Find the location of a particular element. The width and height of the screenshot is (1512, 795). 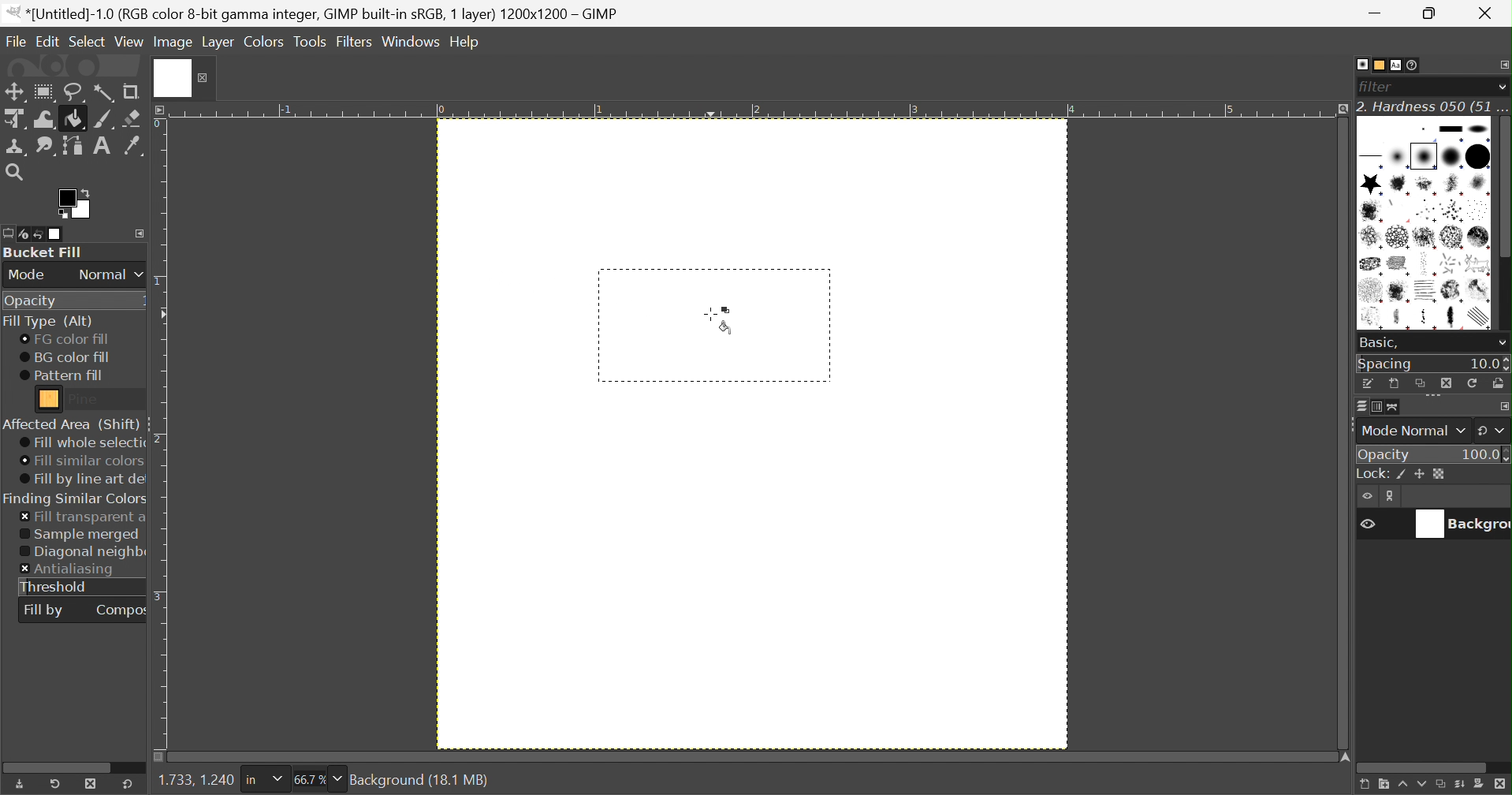

Text Tool is located at coordinates (102, 146).